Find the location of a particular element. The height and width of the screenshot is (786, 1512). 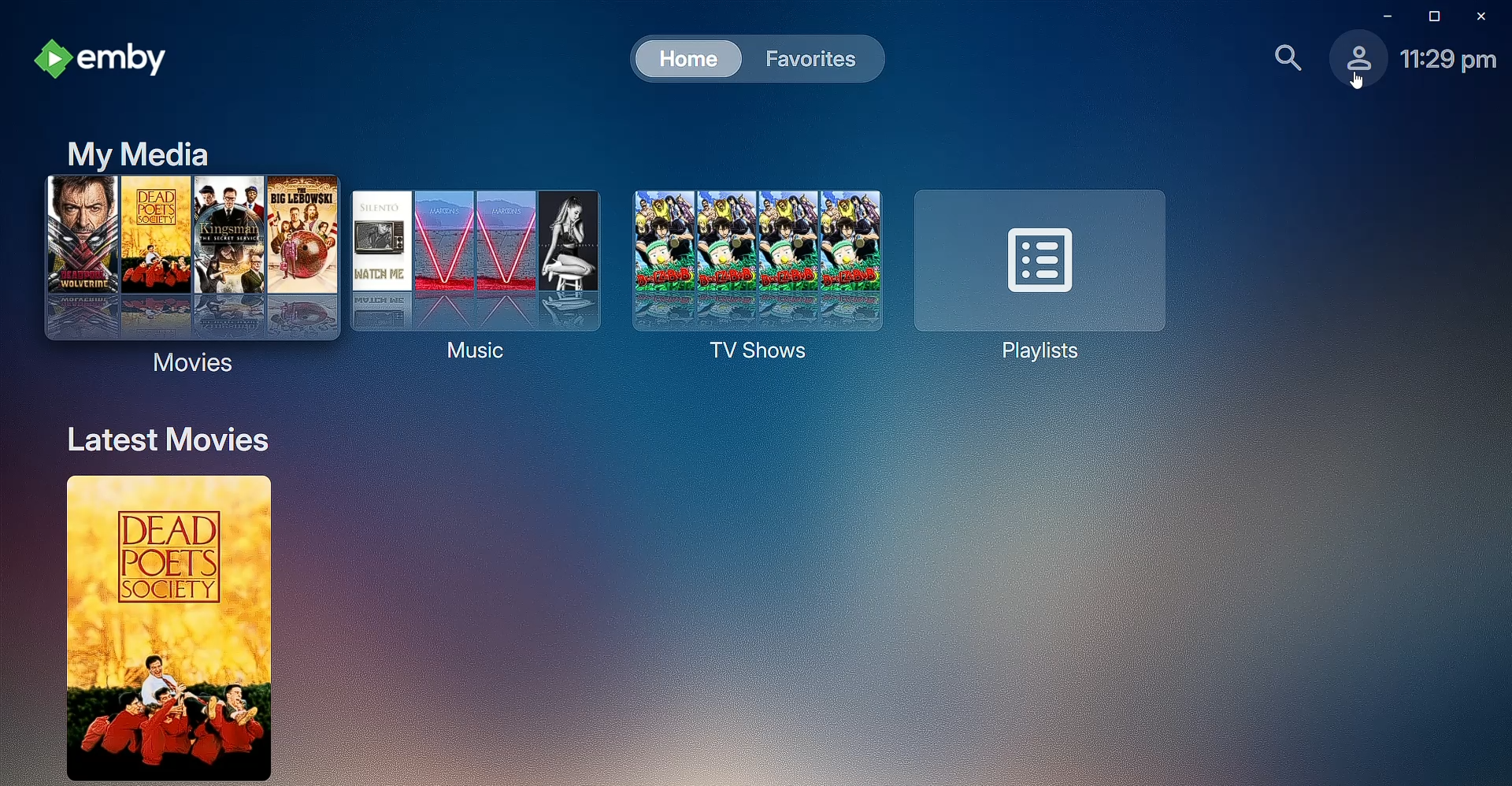

Close is located at coordinates (1485, 15).